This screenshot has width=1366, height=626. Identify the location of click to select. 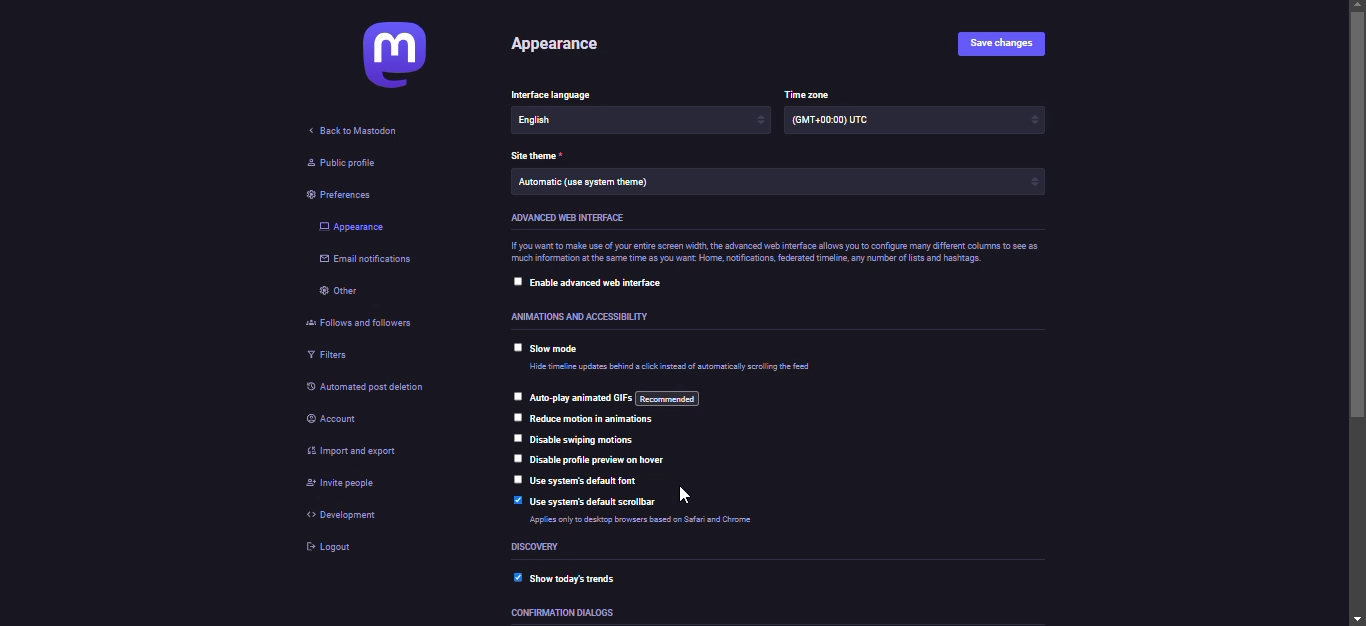
(515, 283).